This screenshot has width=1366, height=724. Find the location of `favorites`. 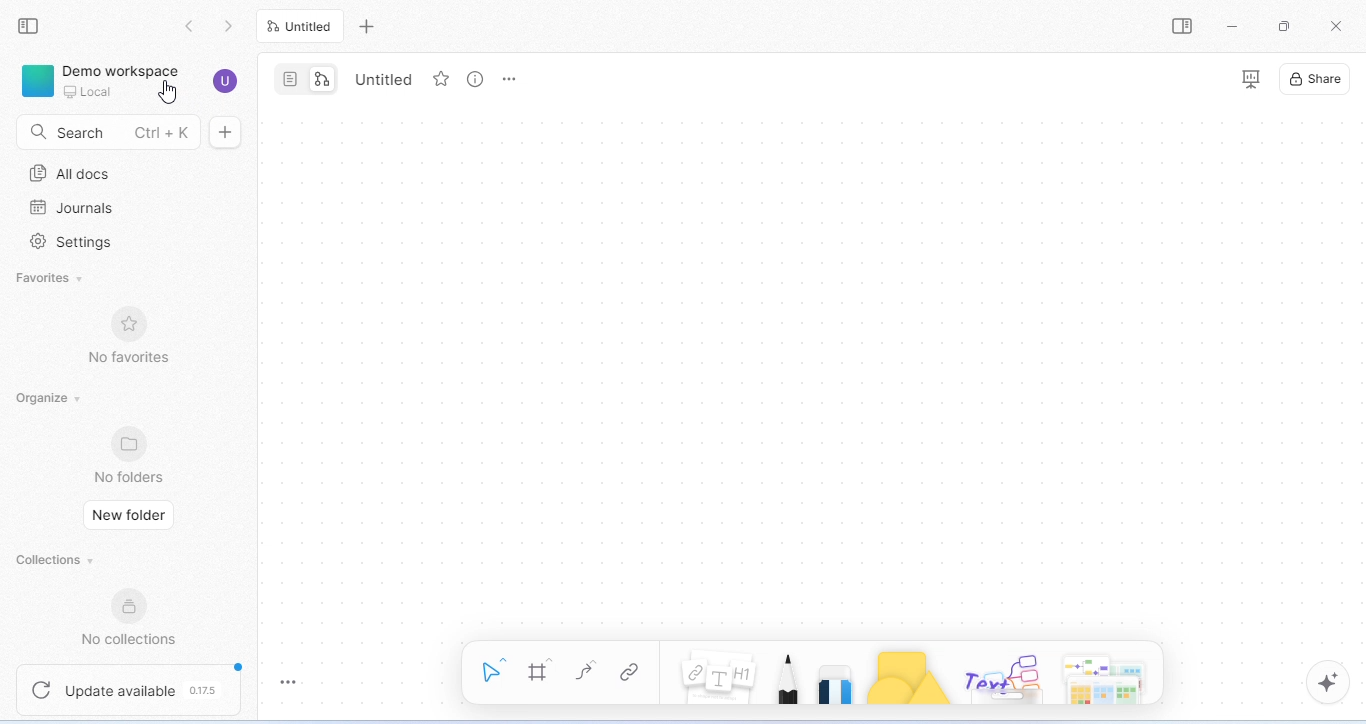

favorites is located at coordinates (53, 279).